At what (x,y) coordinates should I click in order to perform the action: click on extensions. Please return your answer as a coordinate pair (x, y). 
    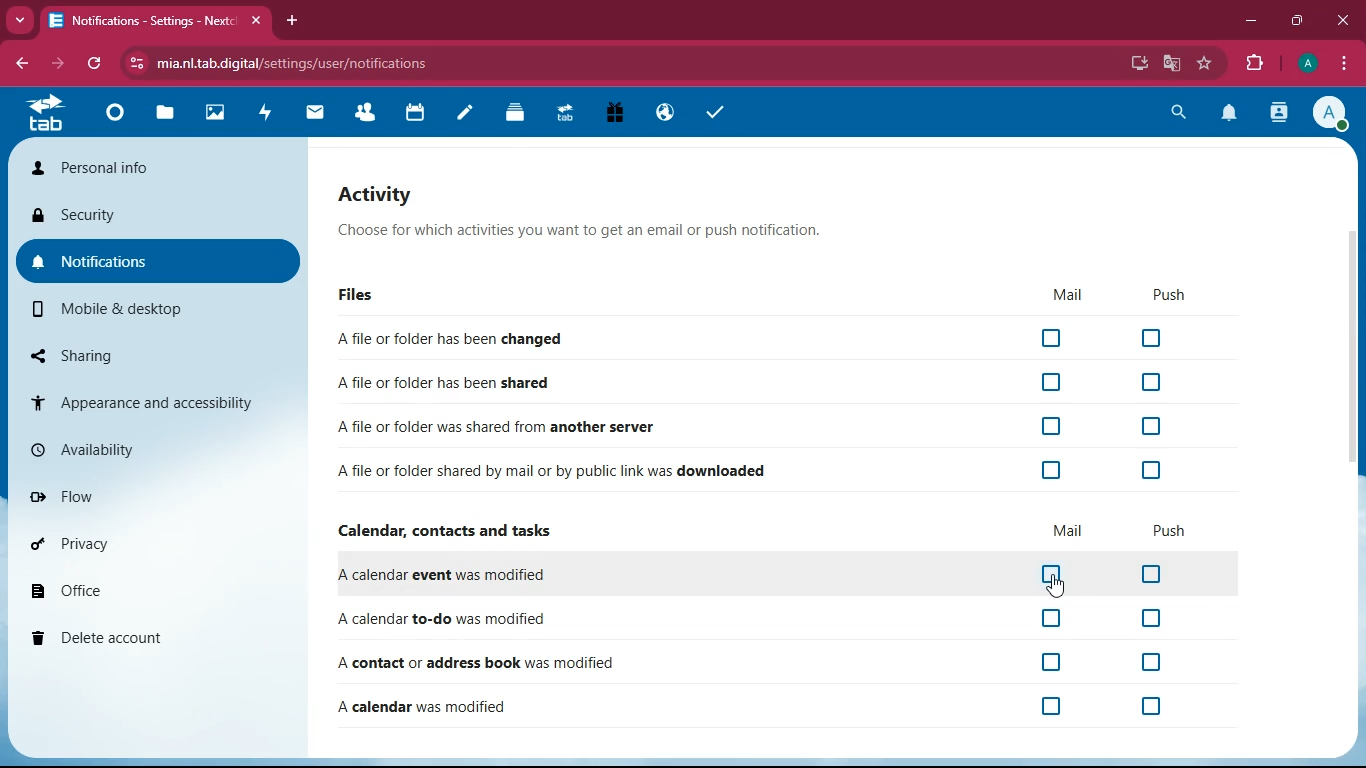
    Looking at the image, I should click on (1255, 66).